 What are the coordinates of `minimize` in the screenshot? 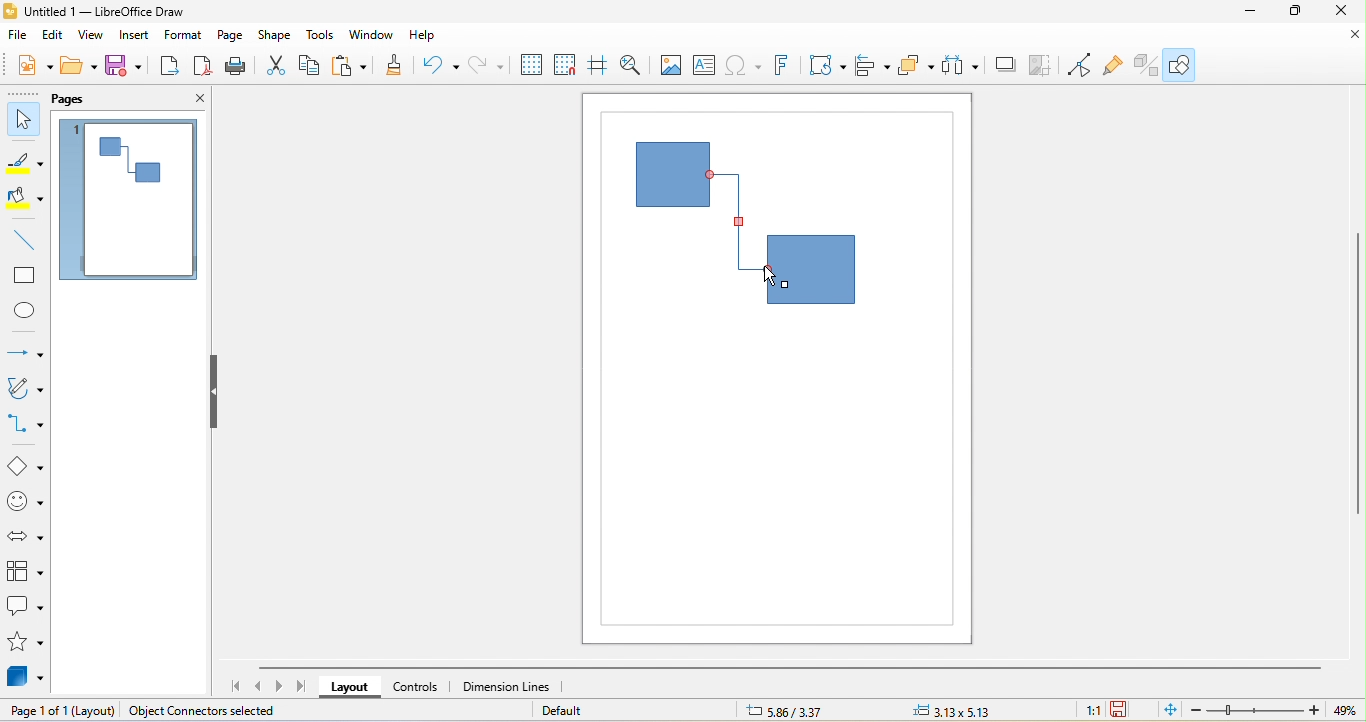 It's located at (1253, 14).